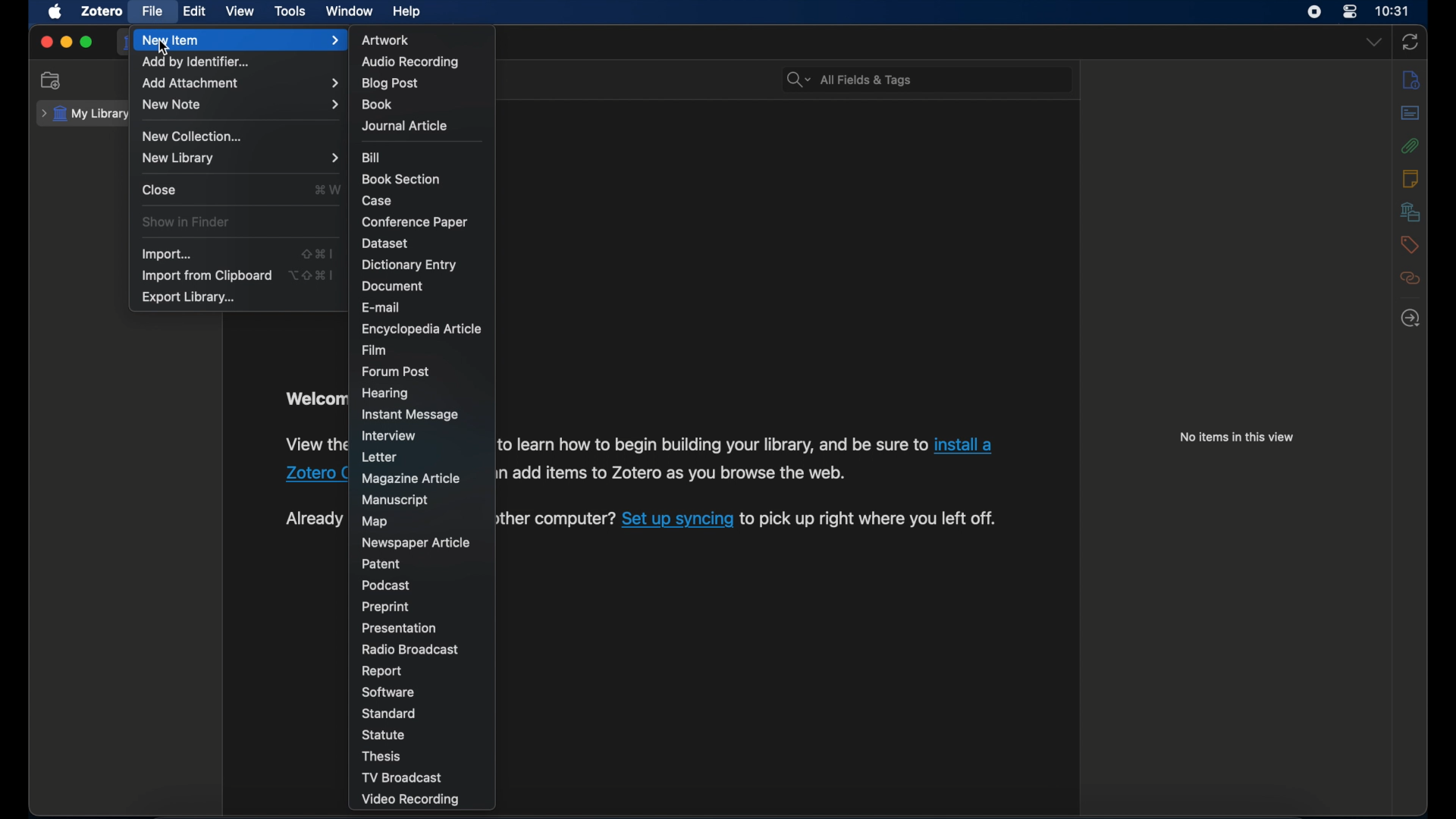 Image resolution: width=1456 pixels, height=819 pixels. What do you see at coordinates (1375, 42) in the screenshot?
I see `dropdown` at bounding box center [1375, 42].